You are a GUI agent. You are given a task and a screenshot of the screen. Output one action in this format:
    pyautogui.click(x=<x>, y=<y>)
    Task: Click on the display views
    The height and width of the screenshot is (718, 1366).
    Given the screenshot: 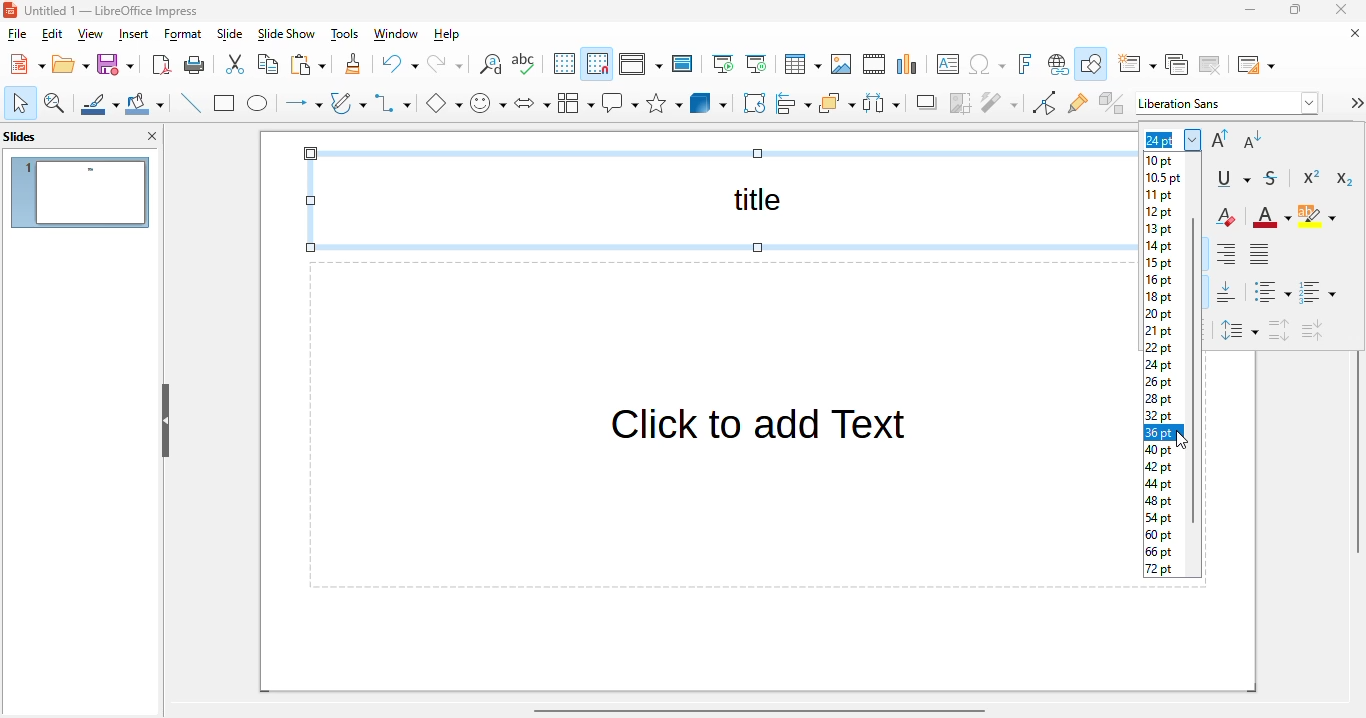 What is the action you would take?
    pyautogui.click(x=641, y=64)
    